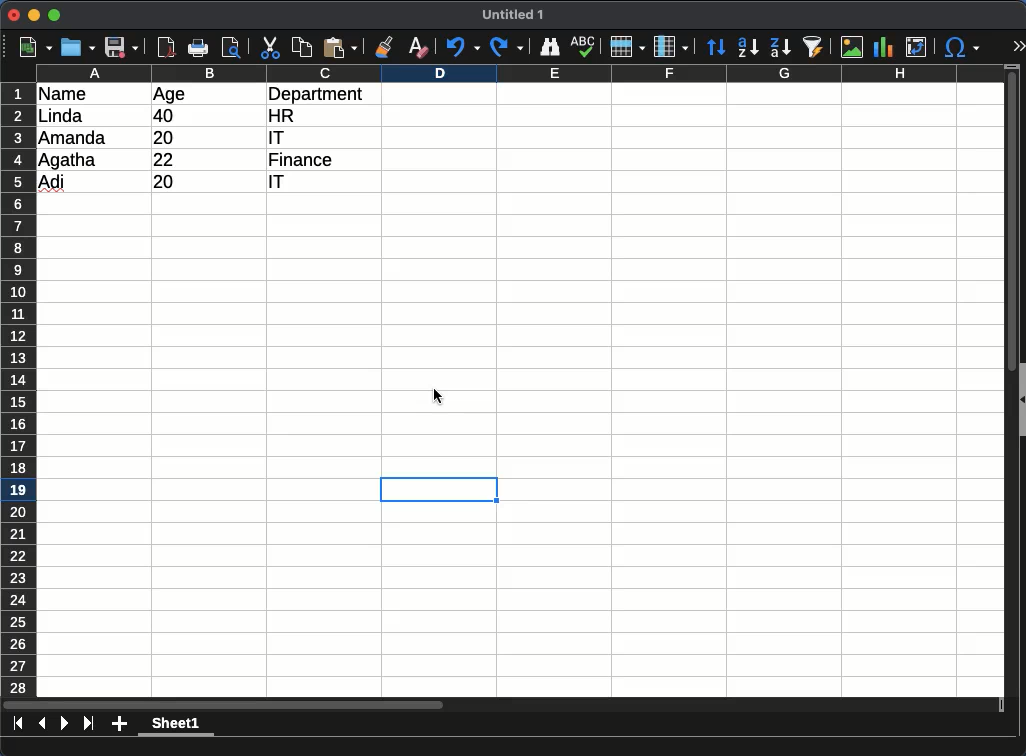 The width and height of the screenshot is (1026, 756). I want to click on sort, so click(816, 47).